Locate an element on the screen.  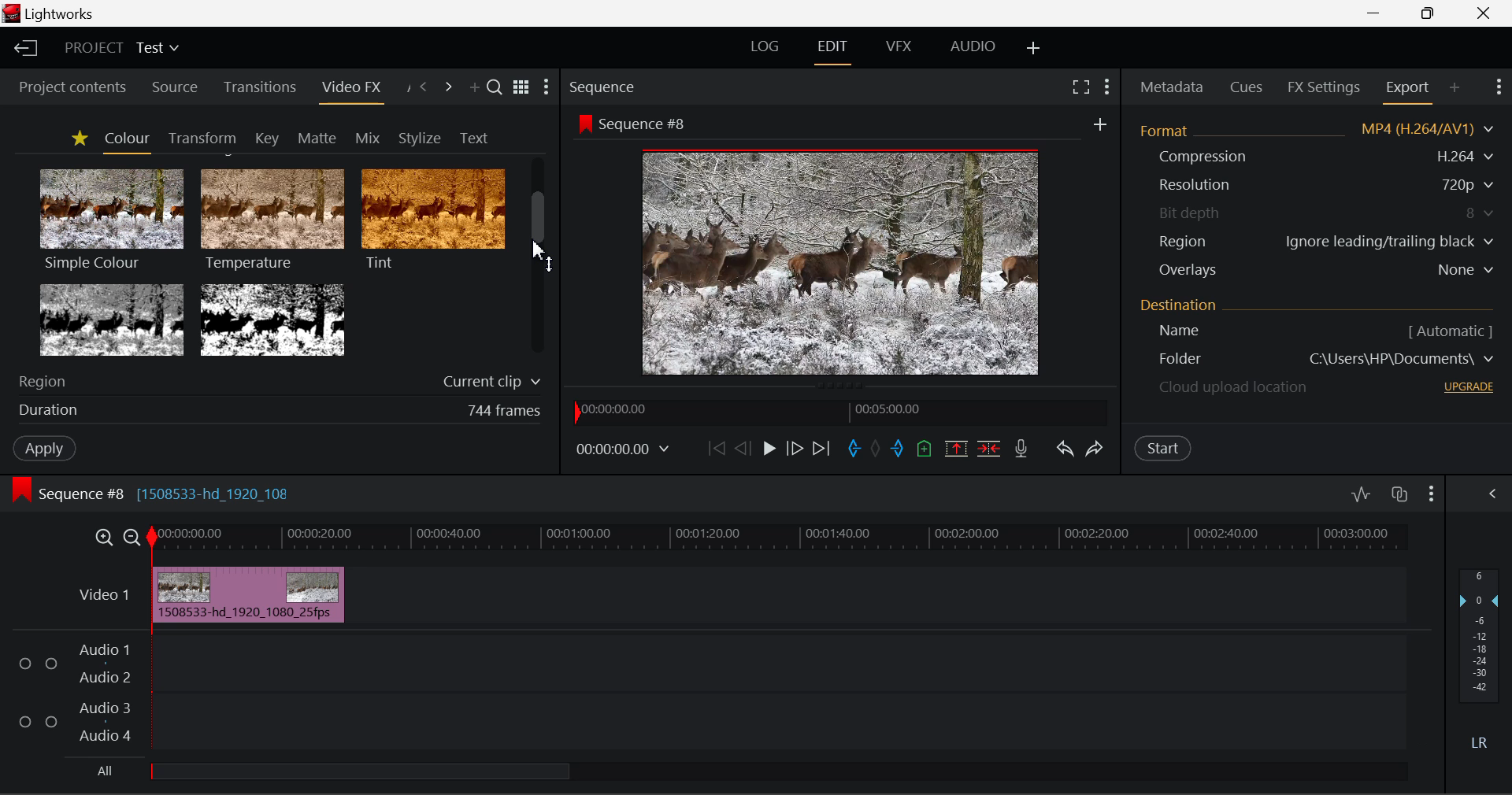
Tint is located at coordinates (432, 219).